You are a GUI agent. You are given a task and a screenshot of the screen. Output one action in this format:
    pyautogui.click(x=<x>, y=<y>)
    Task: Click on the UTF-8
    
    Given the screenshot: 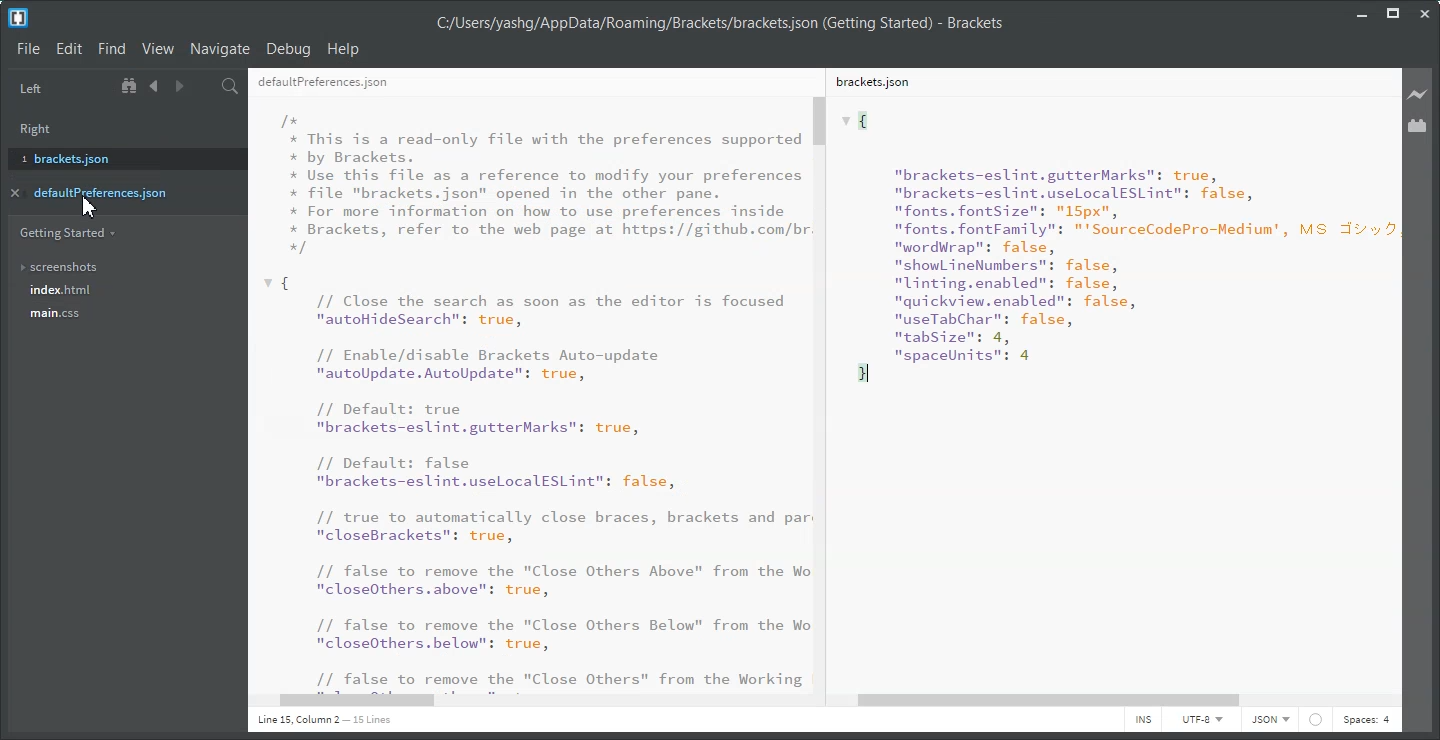 What is the action you would take?
    pyautogui.click(x=1201, y=721)
    